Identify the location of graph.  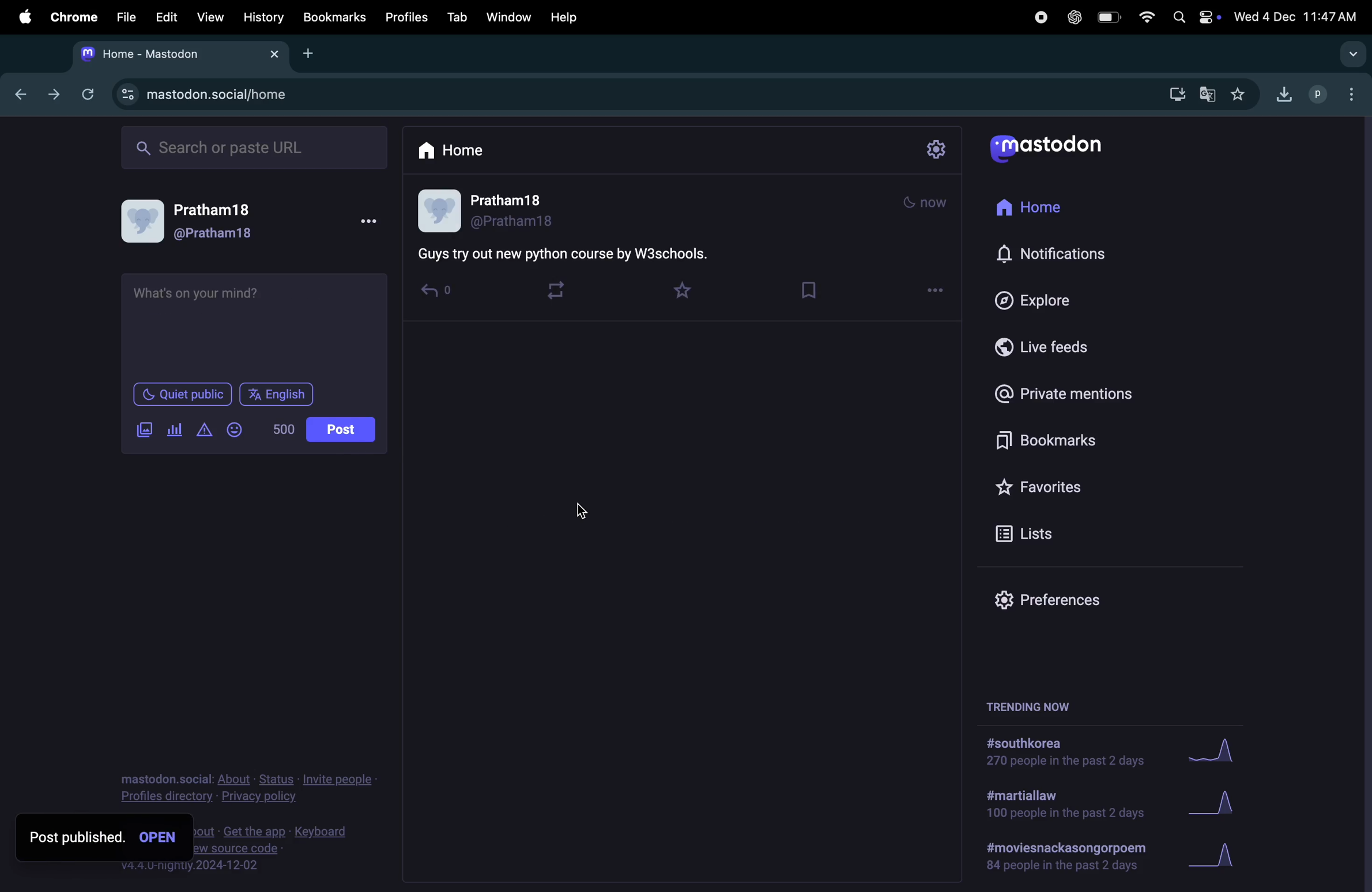
(1220, 857).